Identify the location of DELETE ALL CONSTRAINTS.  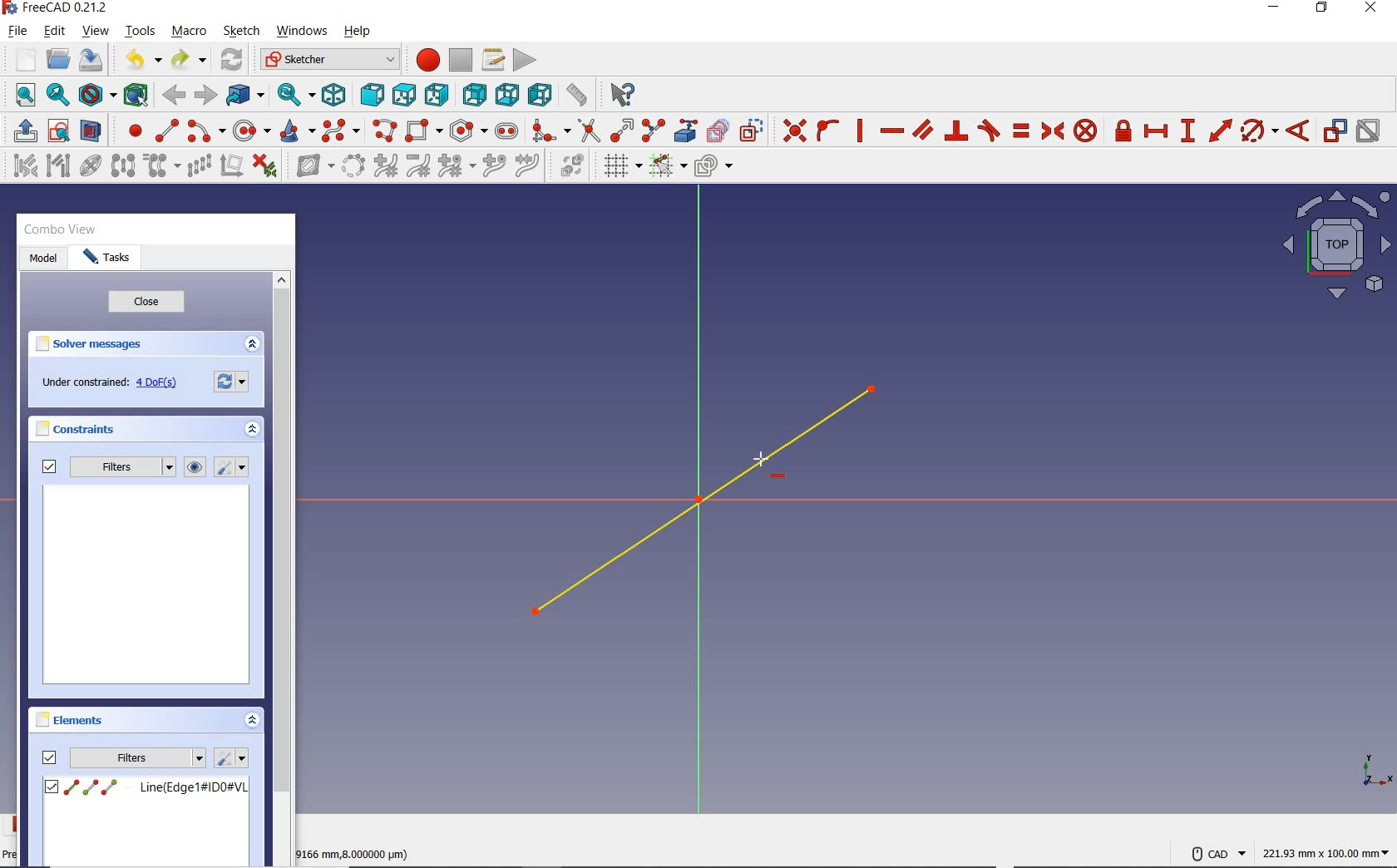
(265, 165).